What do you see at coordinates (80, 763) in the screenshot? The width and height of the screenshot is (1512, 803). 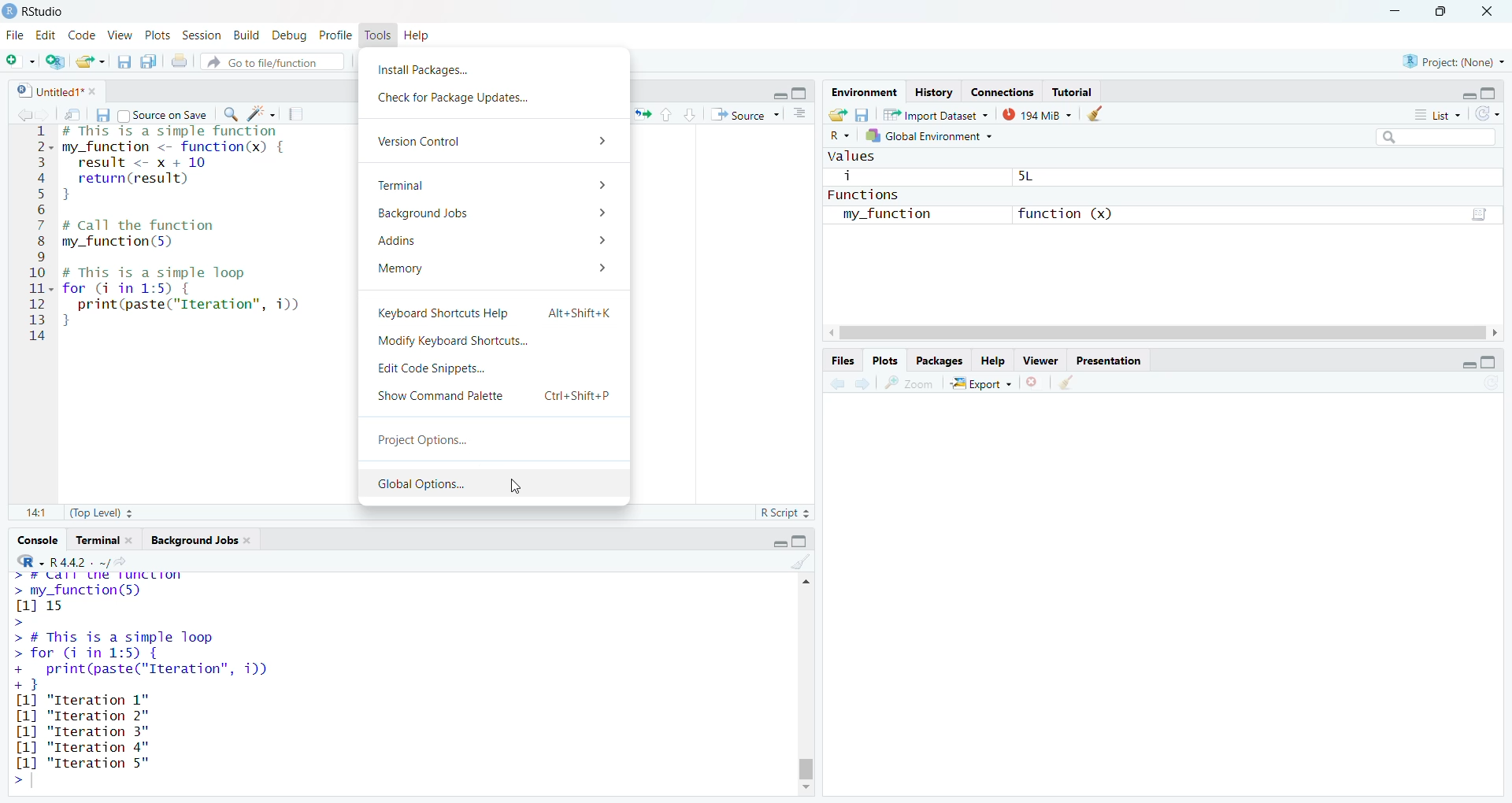 I see `[1] "Iteration 5"` at bounding box center [80, 763].